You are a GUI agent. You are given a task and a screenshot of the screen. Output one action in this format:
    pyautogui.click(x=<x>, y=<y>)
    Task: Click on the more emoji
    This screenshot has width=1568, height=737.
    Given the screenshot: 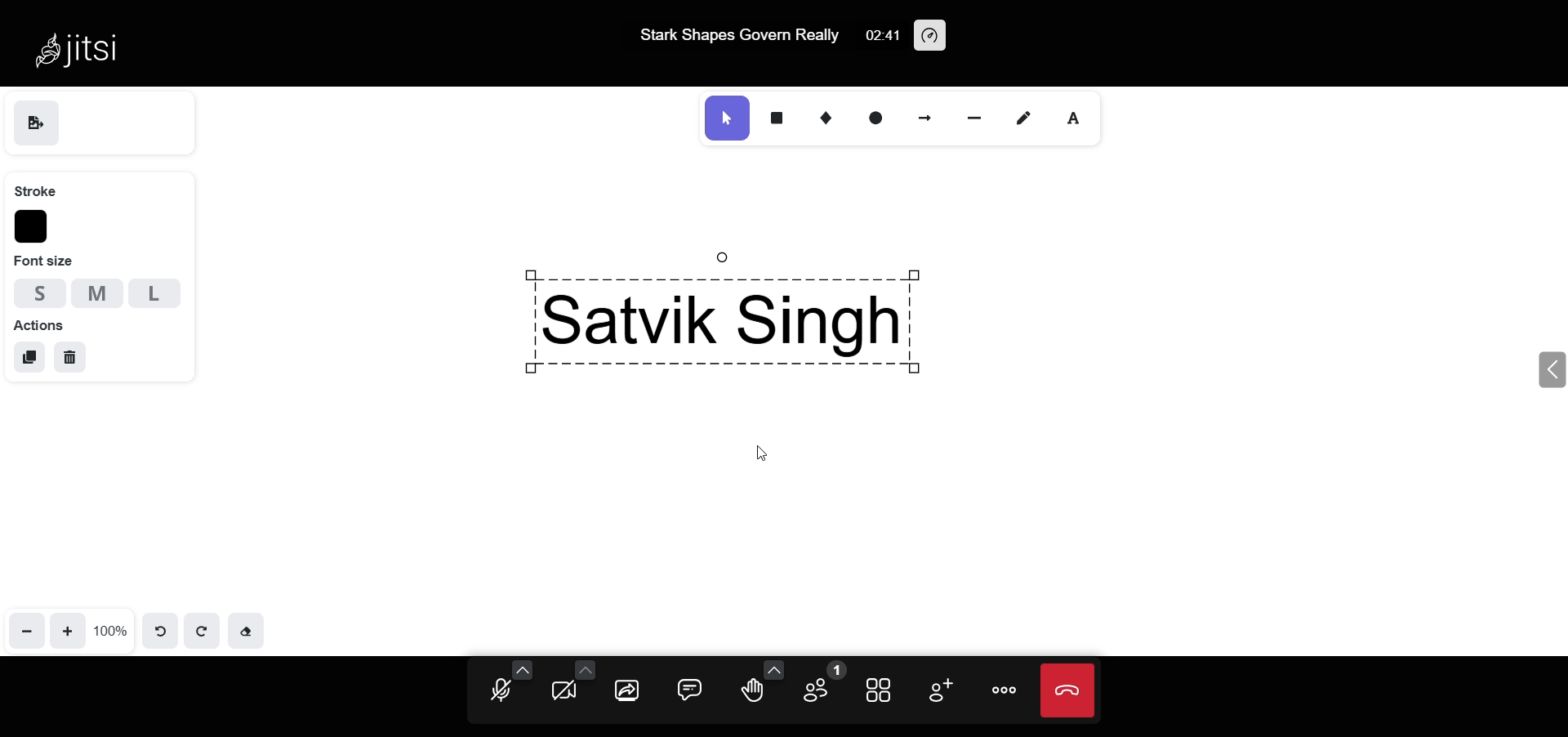 What is the action you would take?
    pyautogui.click(x=771, y=669)
    